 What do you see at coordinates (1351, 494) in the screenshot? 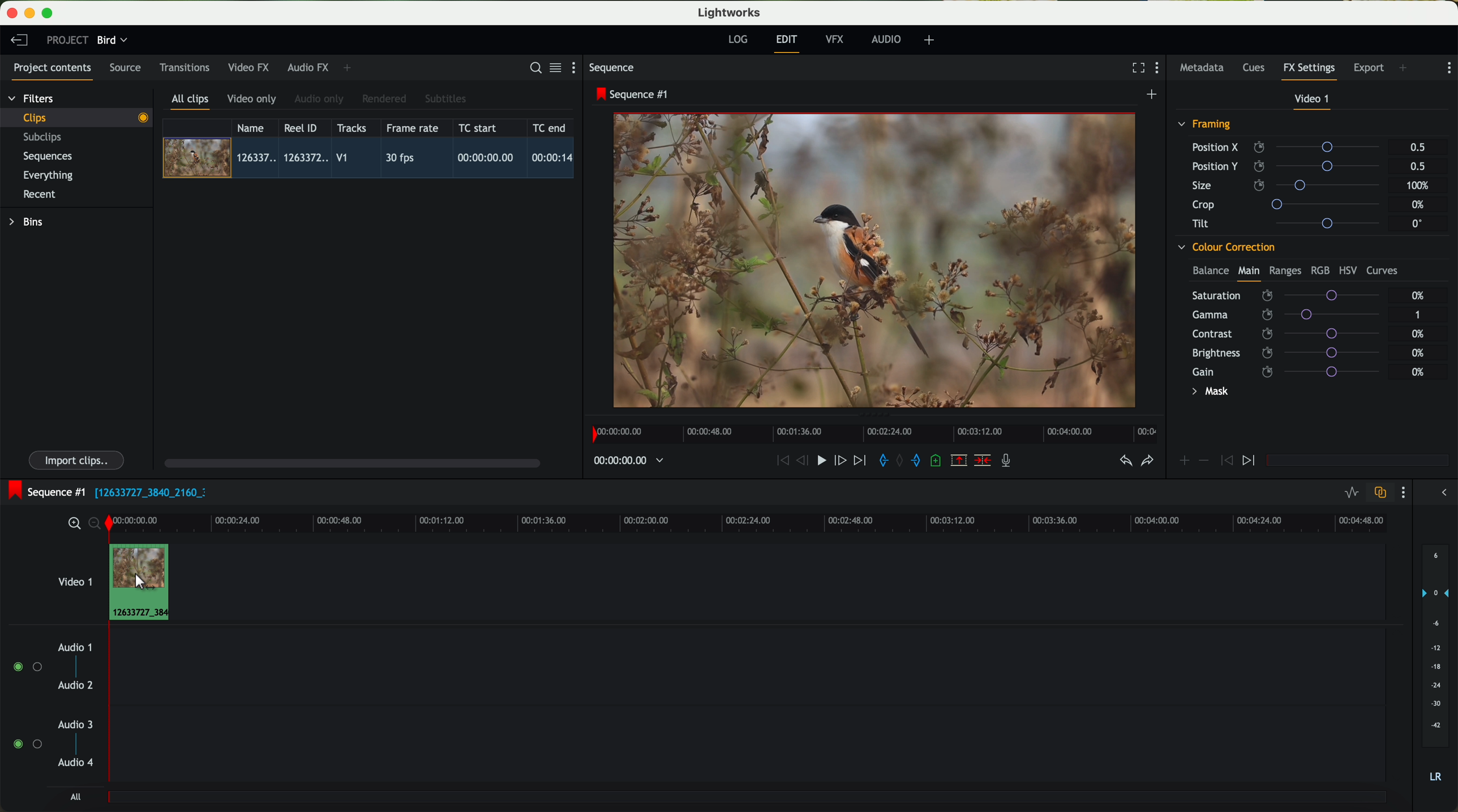
I see `toggle audio levels editing` at bounding box center [1351, 494].